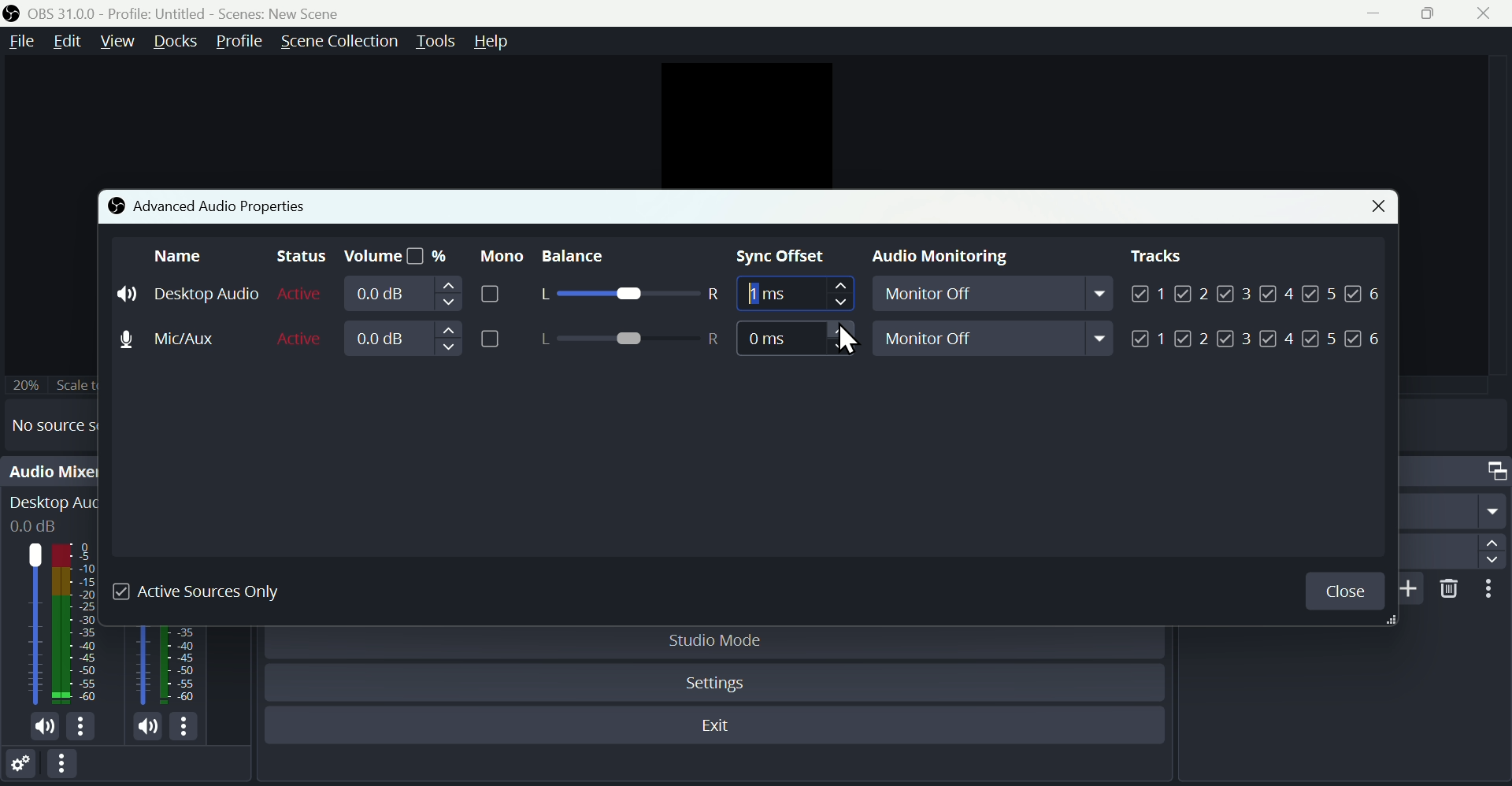 Image resolution: width=1512 pixels, height=786 pixels. What do you see at coordinates (1277, 292) in the screenshot?
I see `(un)check Track 4` at bounding box center [1277, 292].